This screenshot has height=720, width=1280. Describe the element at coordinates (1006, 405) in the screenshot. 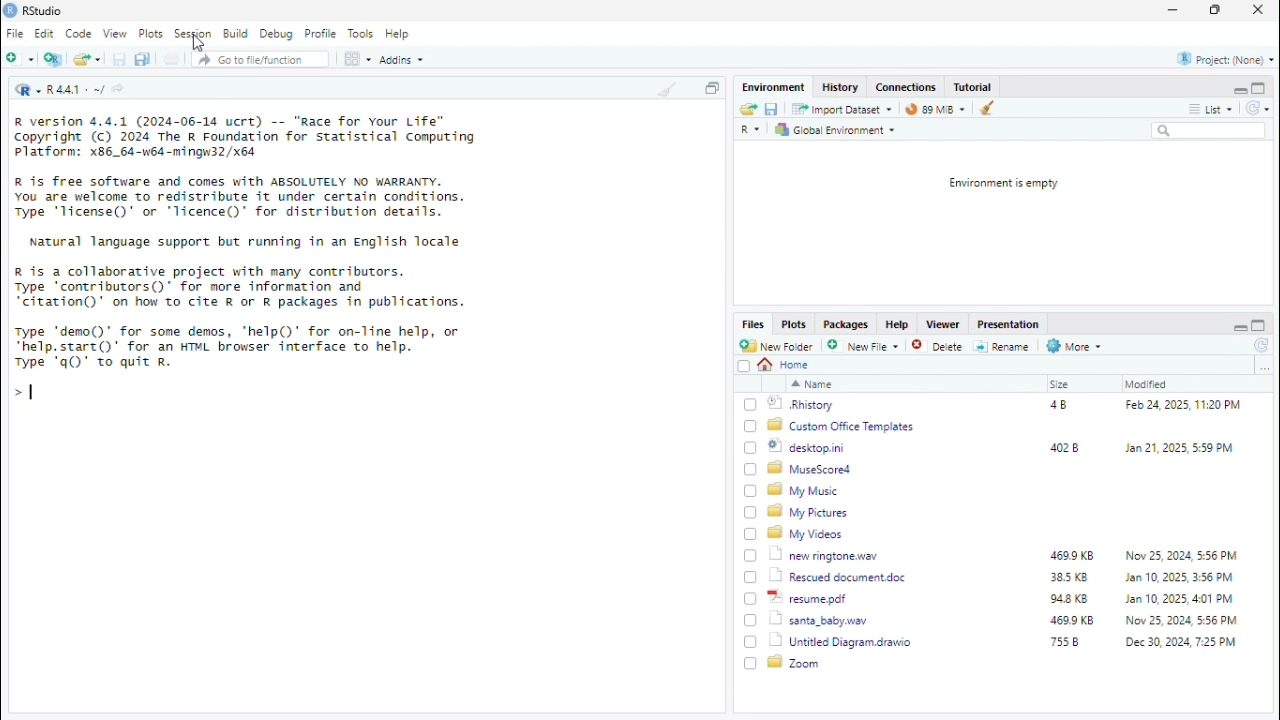

I see `.Rhistory 4B Feb 24, 2025, 11:20 PM.` at that location.